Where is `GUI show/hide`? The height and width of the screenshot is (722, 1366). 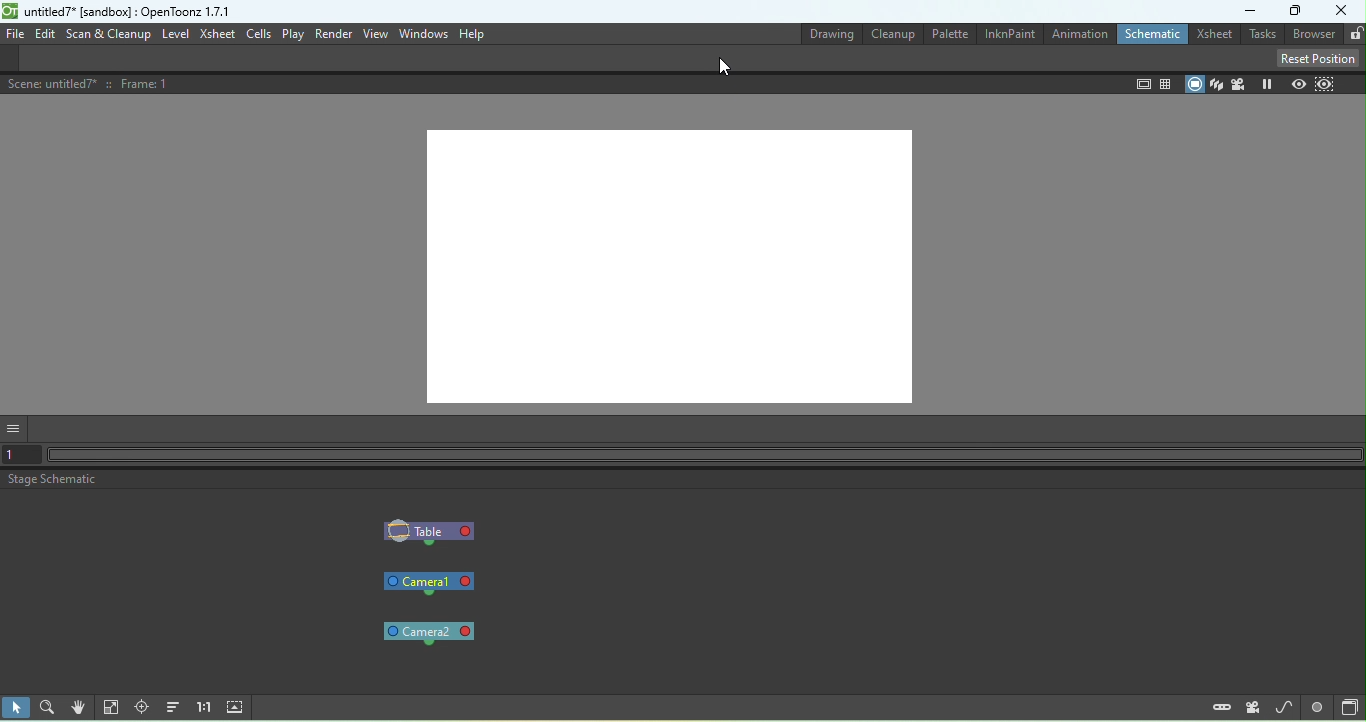 GUI show/hide is located at coordinates (16, 428).